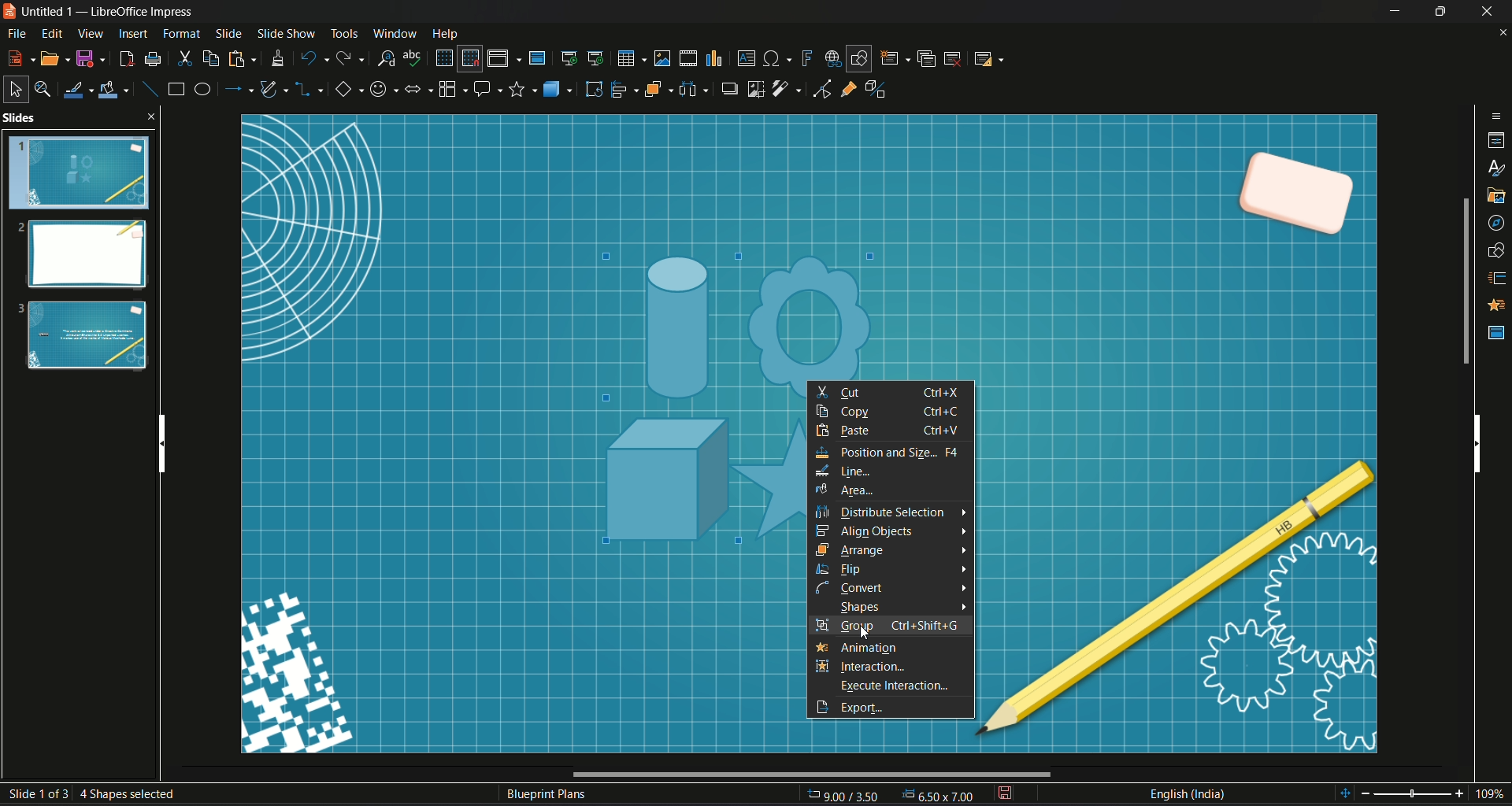 The image size is (1512, 806). Describe the element at coordinates (861, 605) in the screenshot. I see `shapes` at that location.